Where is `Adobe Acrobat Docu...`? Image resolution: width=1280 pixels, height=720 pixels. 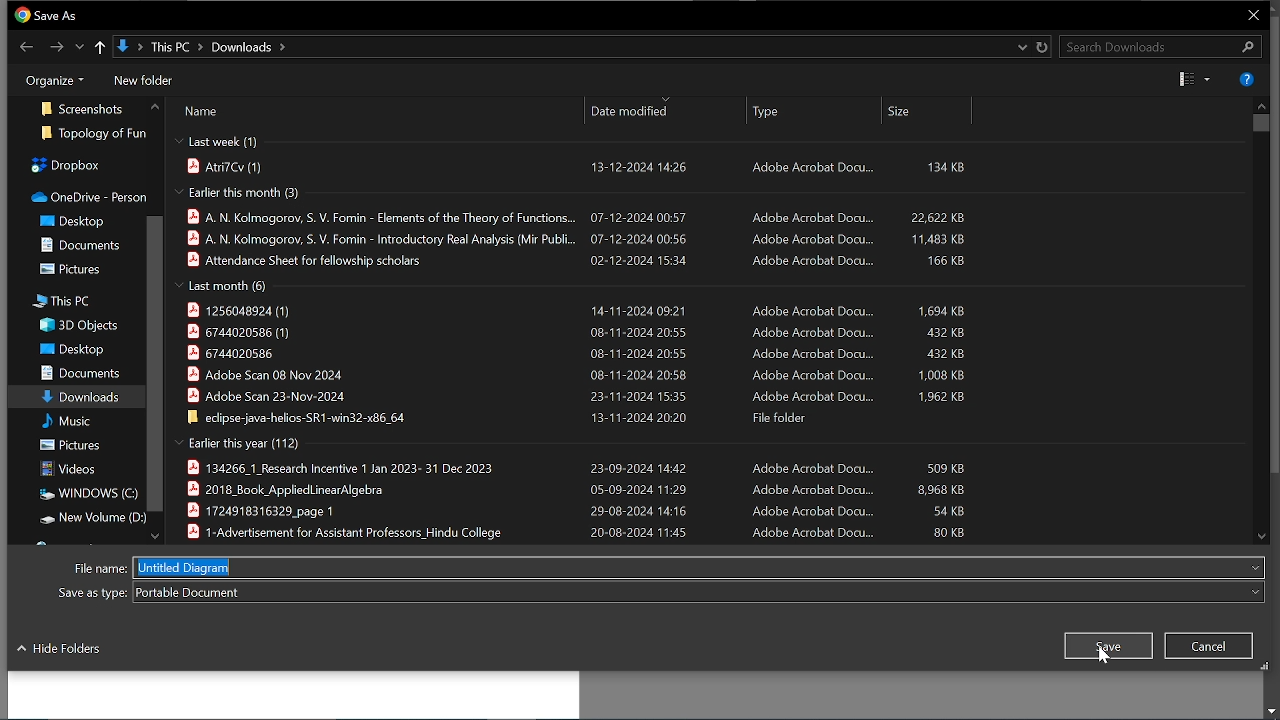 Adobe Acrobat Docu... is located at coordinates (809, 168).